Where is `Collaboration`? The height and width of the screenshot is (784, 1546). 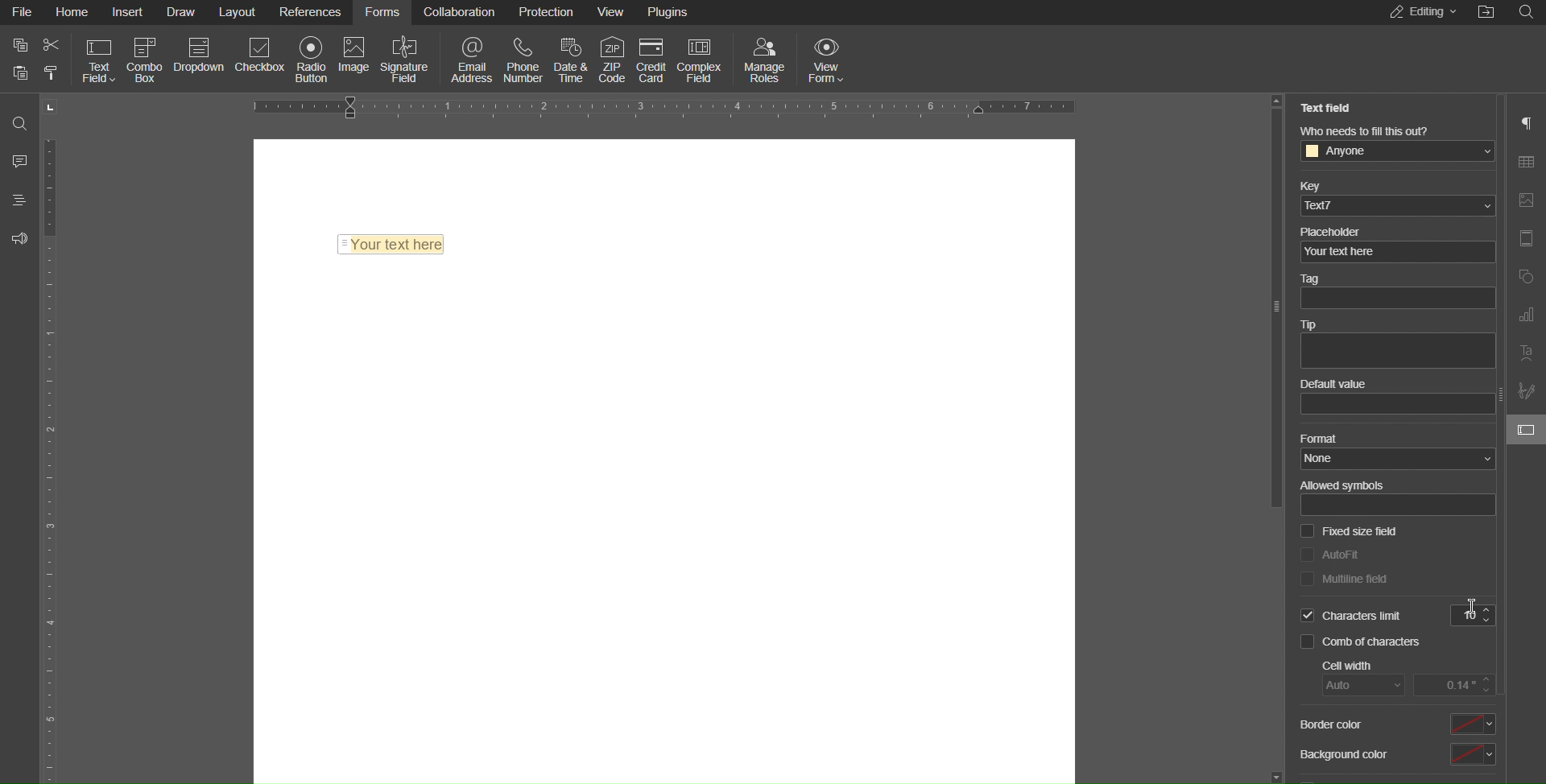
Collaboration is located at coordinates (460, 14).